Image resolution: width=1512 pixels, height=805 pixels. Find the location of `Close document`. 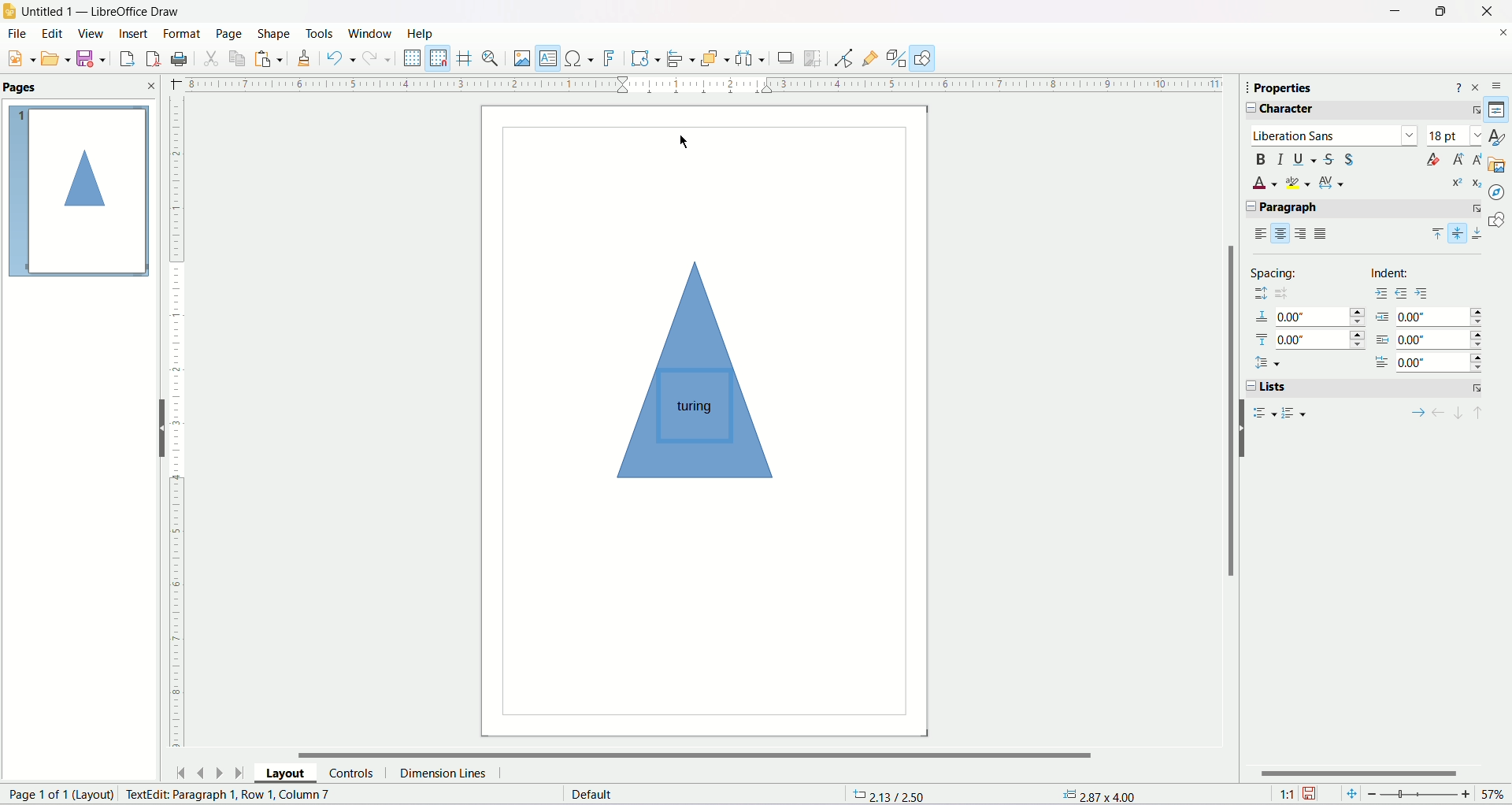

Close document is located at coordinates (1502, 32).